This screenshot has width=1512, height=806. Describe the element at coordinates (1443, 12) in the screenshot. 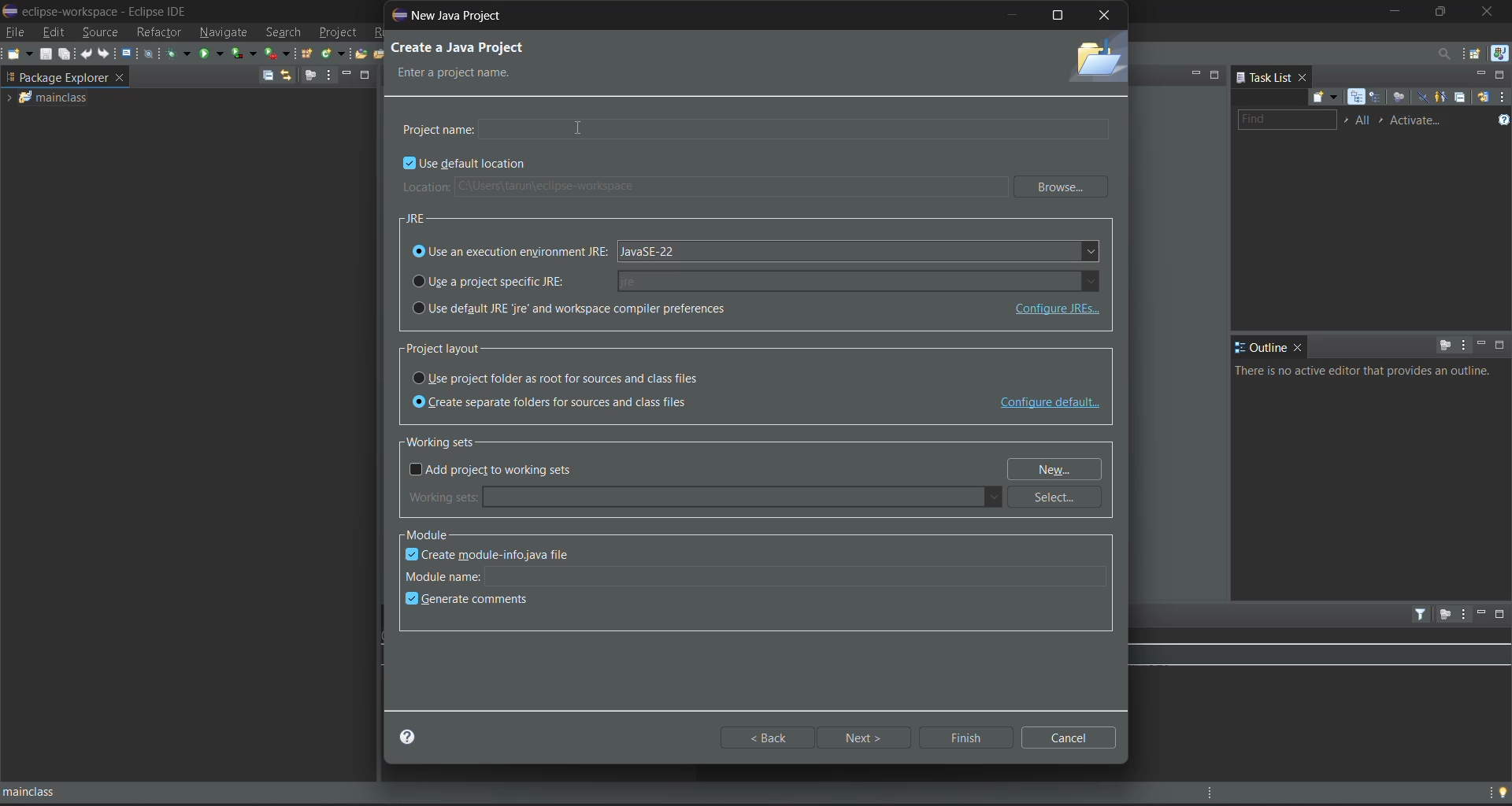

I see `maximize` at that location.